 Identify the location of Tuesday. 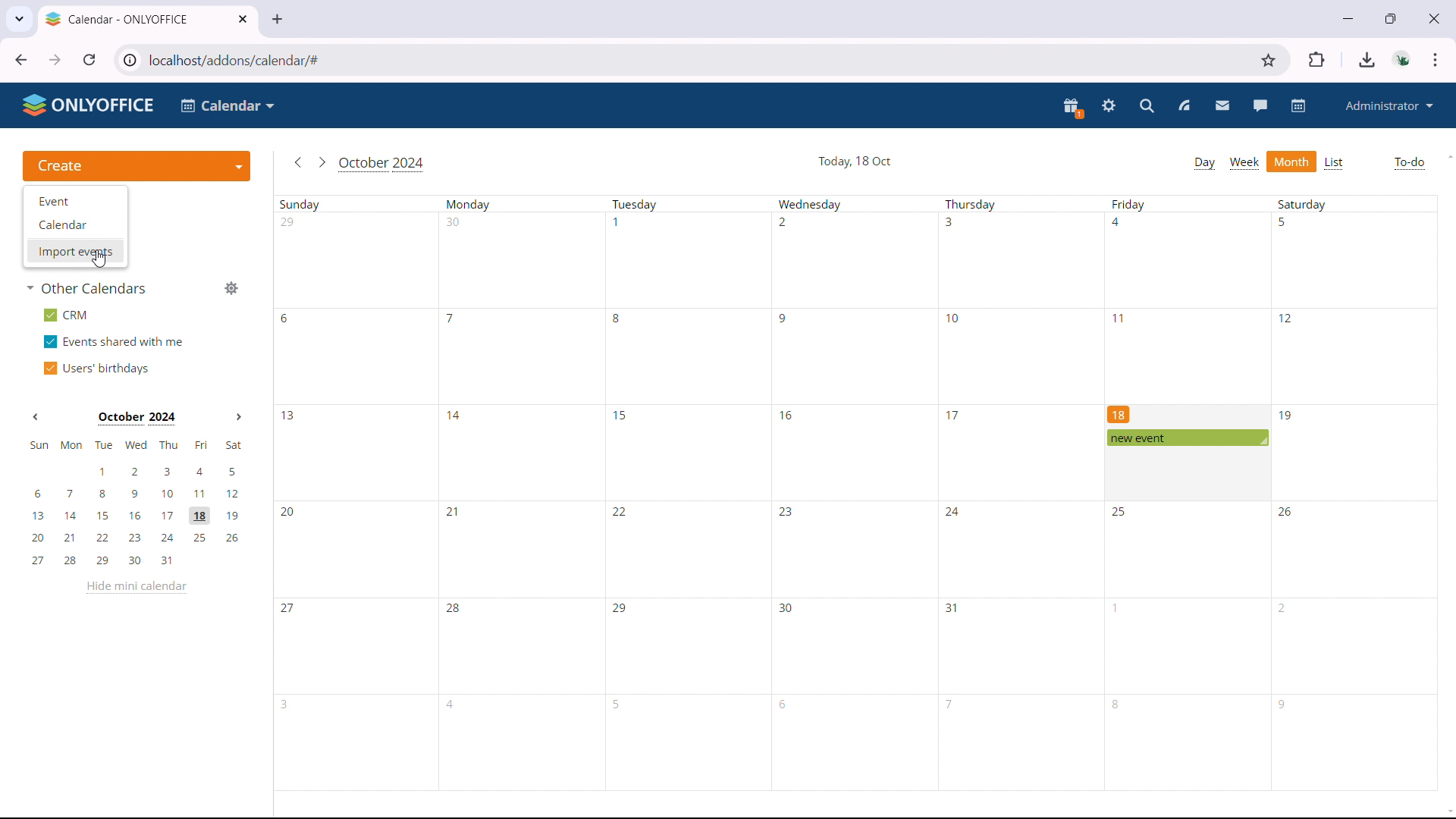
(636, 205).